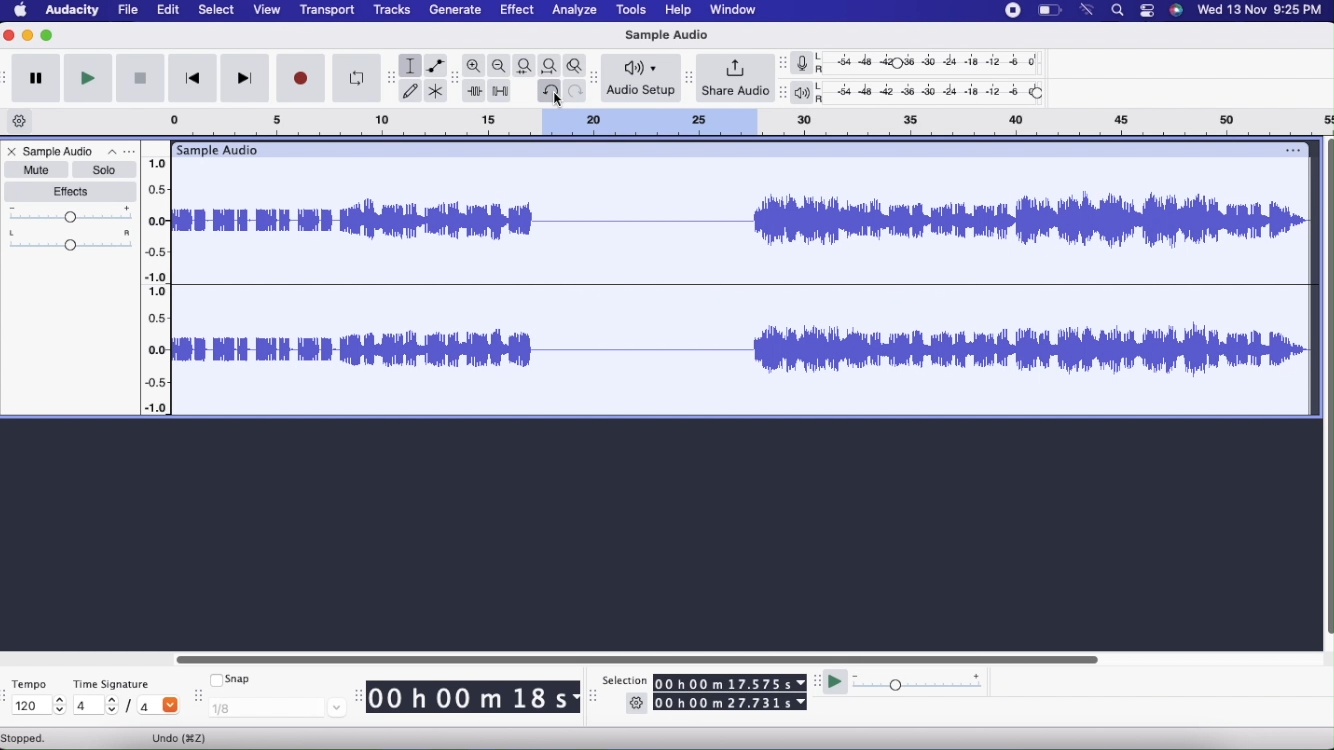 The width and height of the screenshot is (1334, 750). I want to click on 00 h 00 m 27.131 s, so click(732, 704).